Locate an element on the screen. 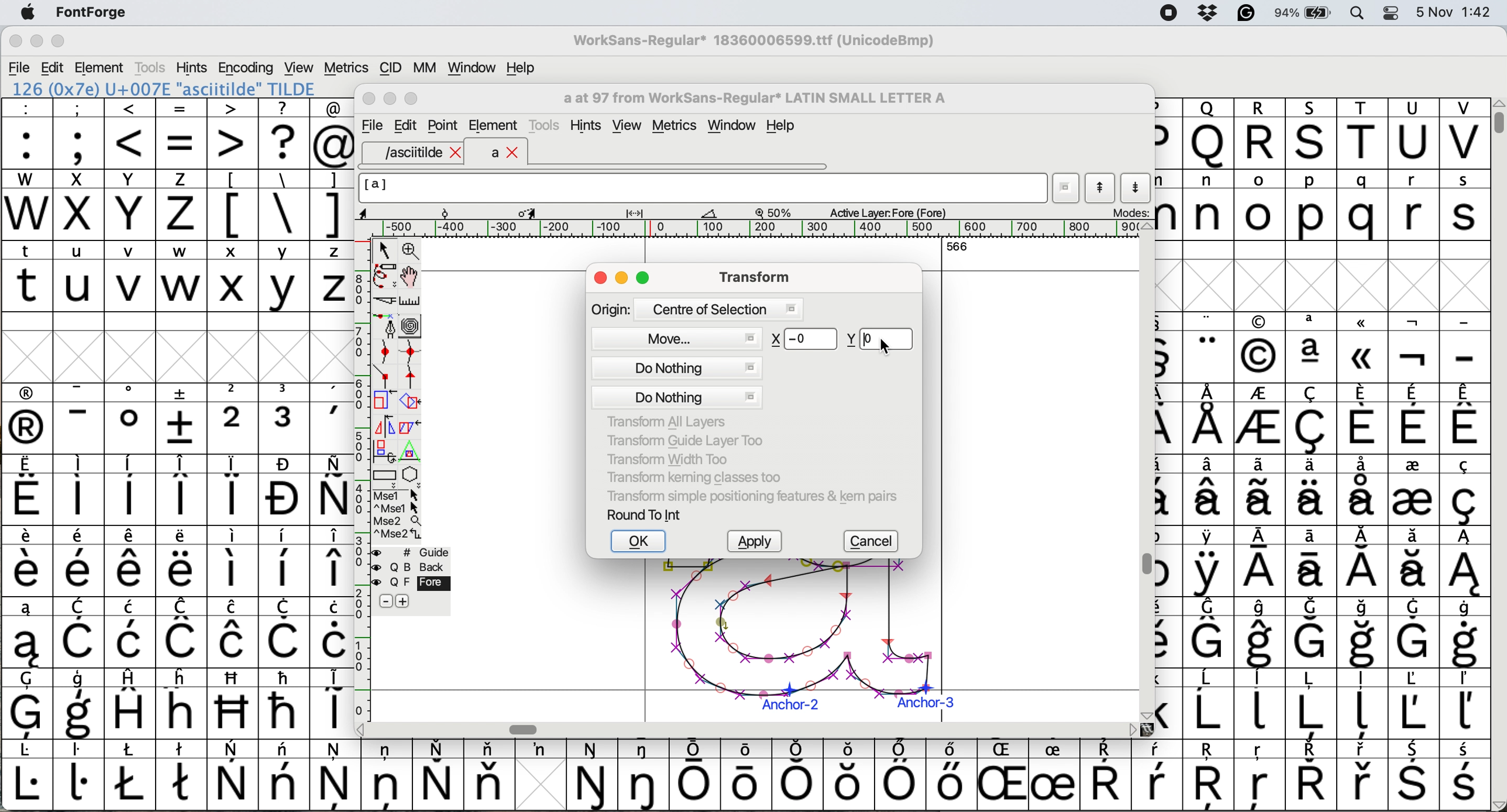 The height and width of the screenshot is (812, 1507).  is located at coordinates (1259, 348).